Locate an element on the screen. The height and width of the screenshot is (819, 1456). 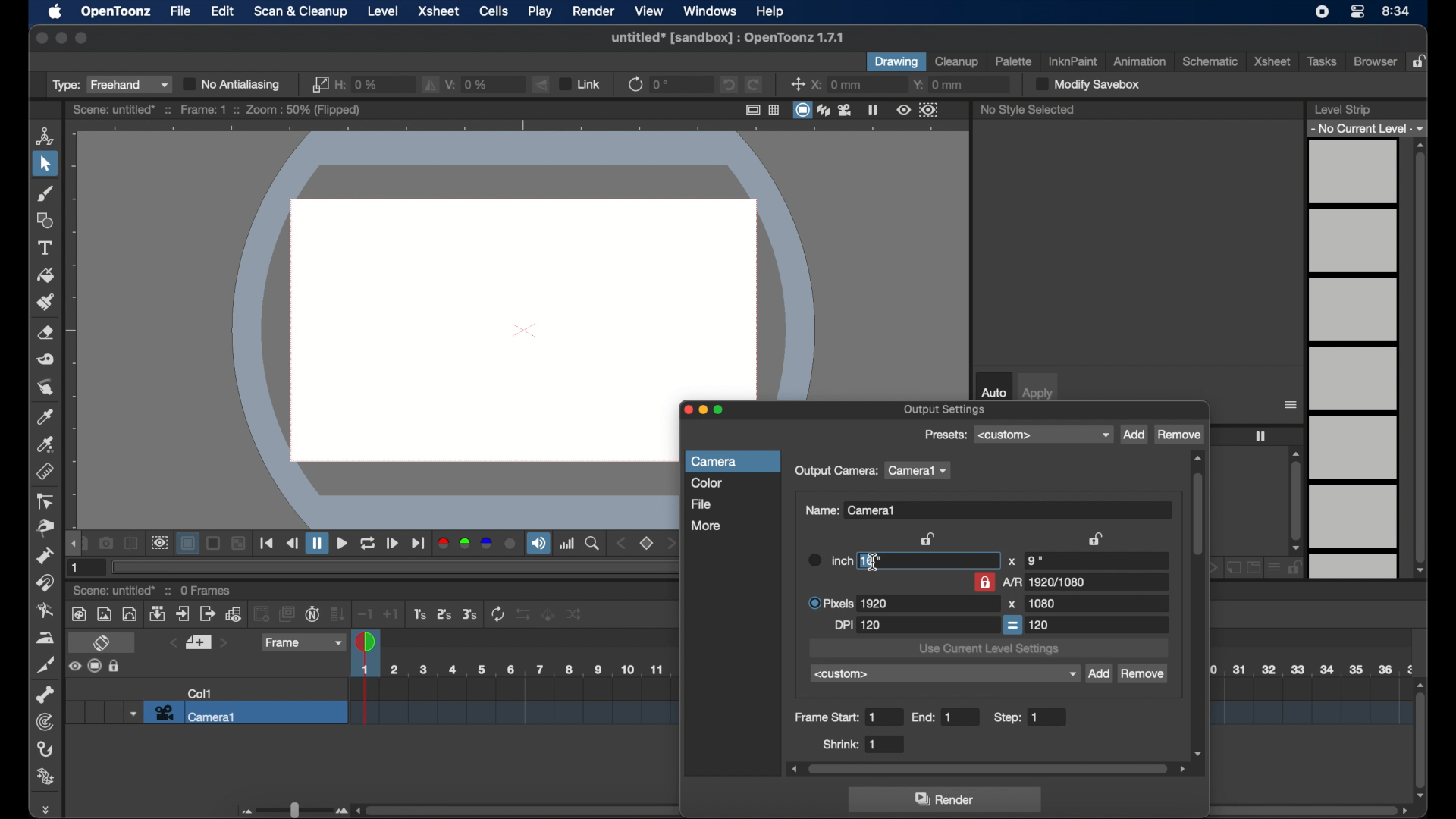
pump tool is located at coordinates (42, 555).